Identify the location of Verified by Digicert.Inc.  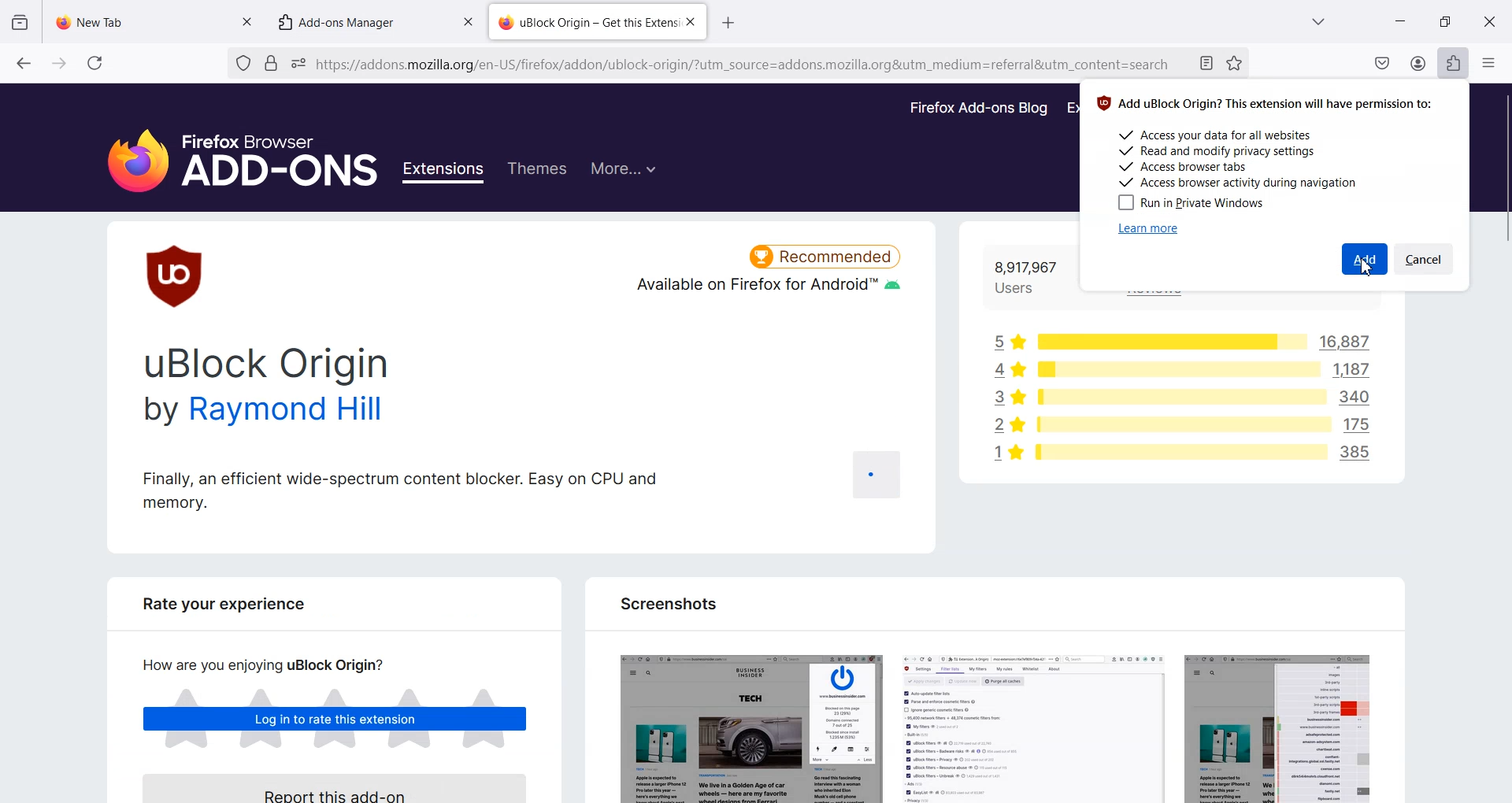
(270, 64).